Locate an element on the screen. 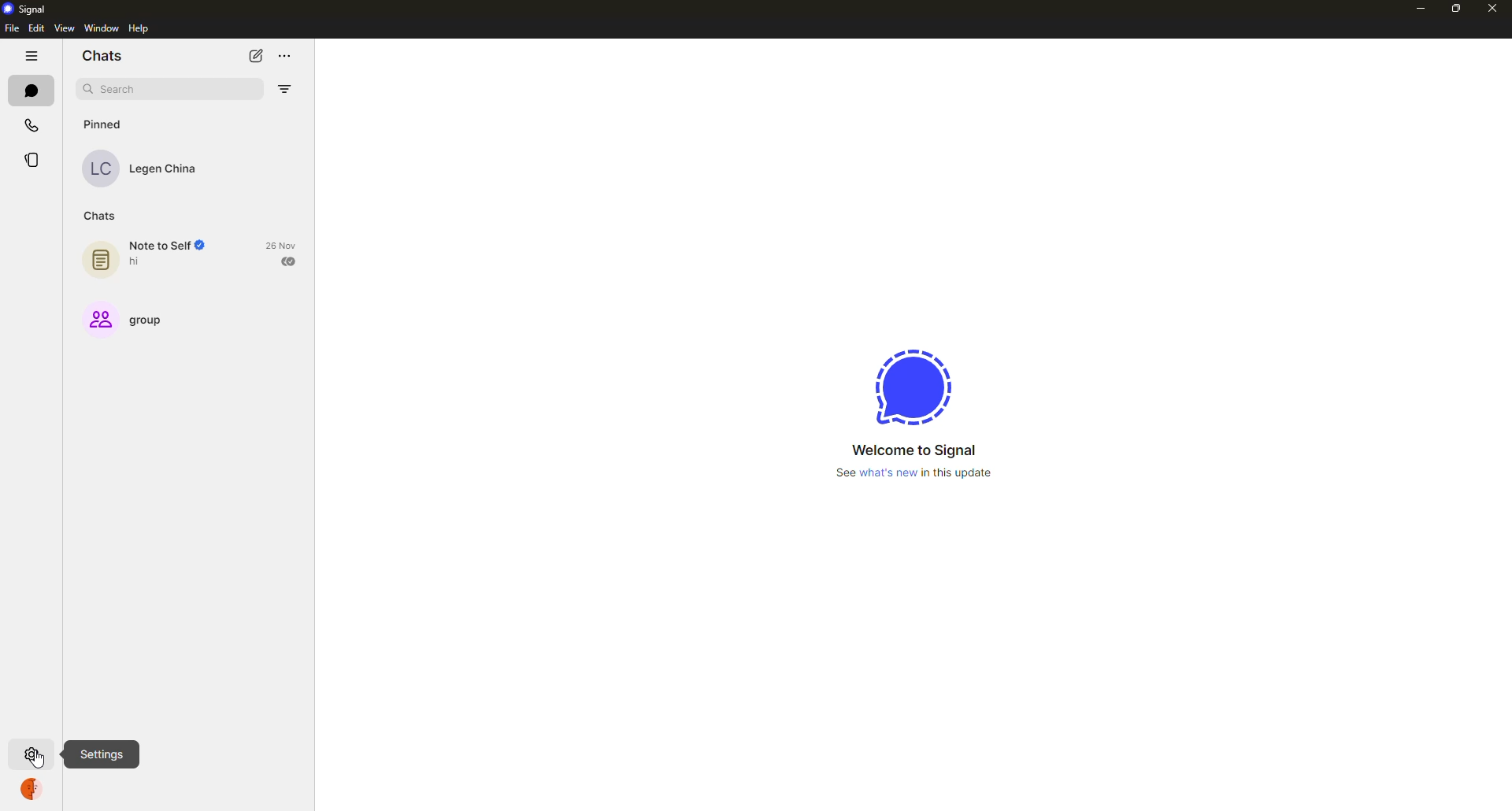 Image resolution: width=1512 pixels, height=811 pixels. help is located at coordinates (139, 29).